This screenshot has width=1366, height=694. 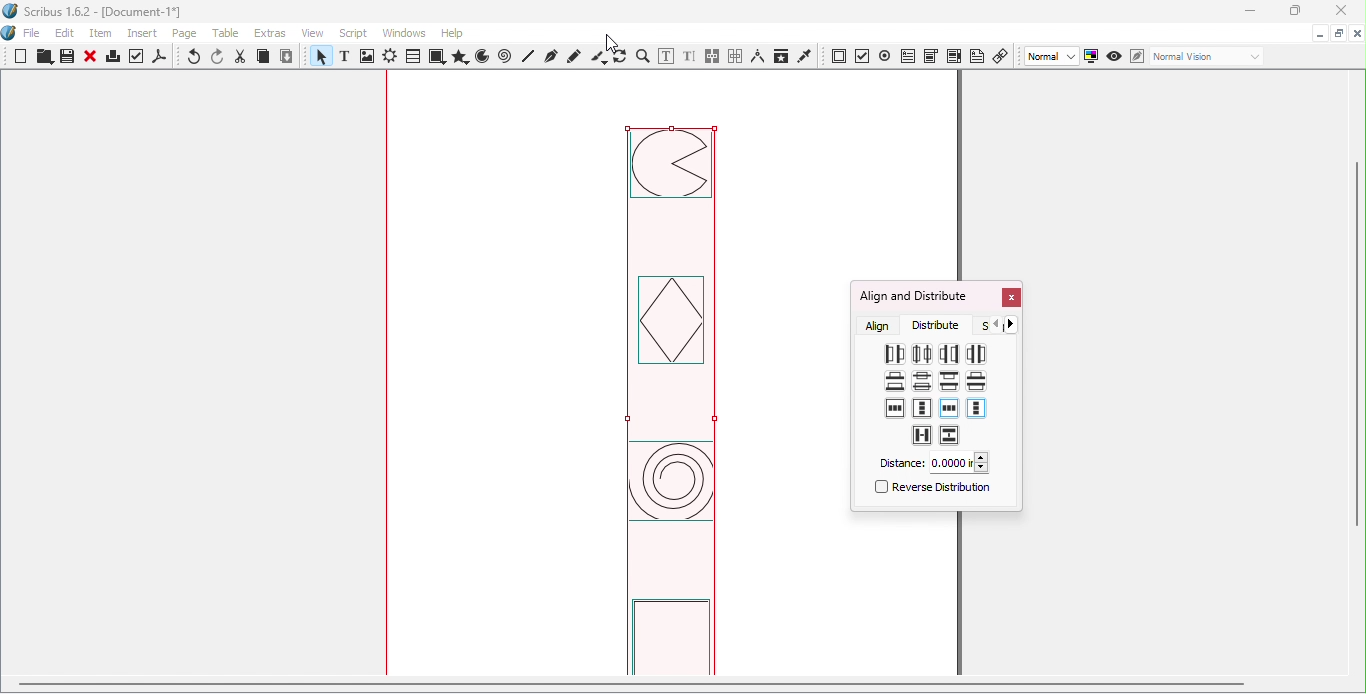 What do you see at coordinates (975, 380) in the screenshot?
I see `Make vertical gaps between items equal` at bounding box center [975, 380].